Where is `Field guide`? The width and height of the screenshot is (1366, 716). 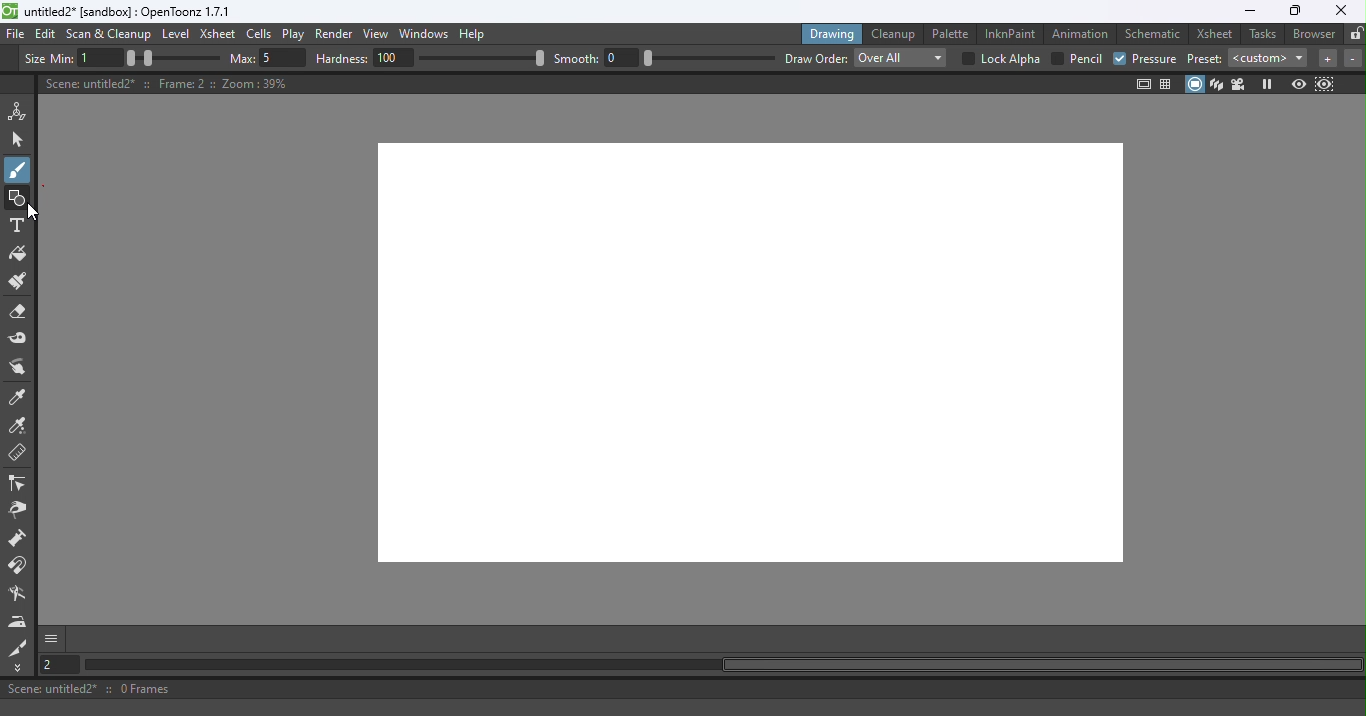 Field guide is located at coordinates (1169, 83).